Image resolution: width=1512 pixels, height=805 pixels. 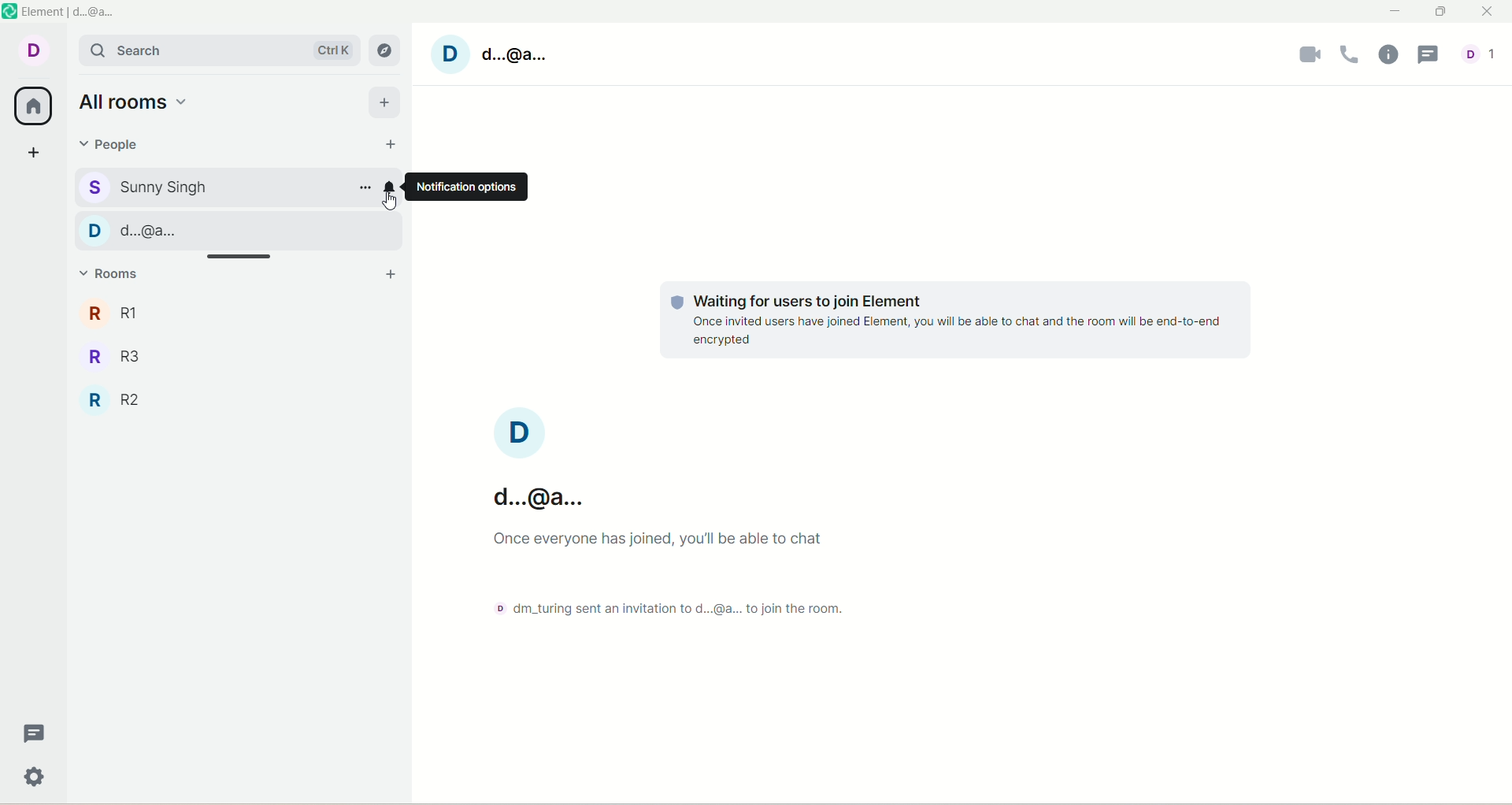 I want to click on close, so click(x=1492, y=10).